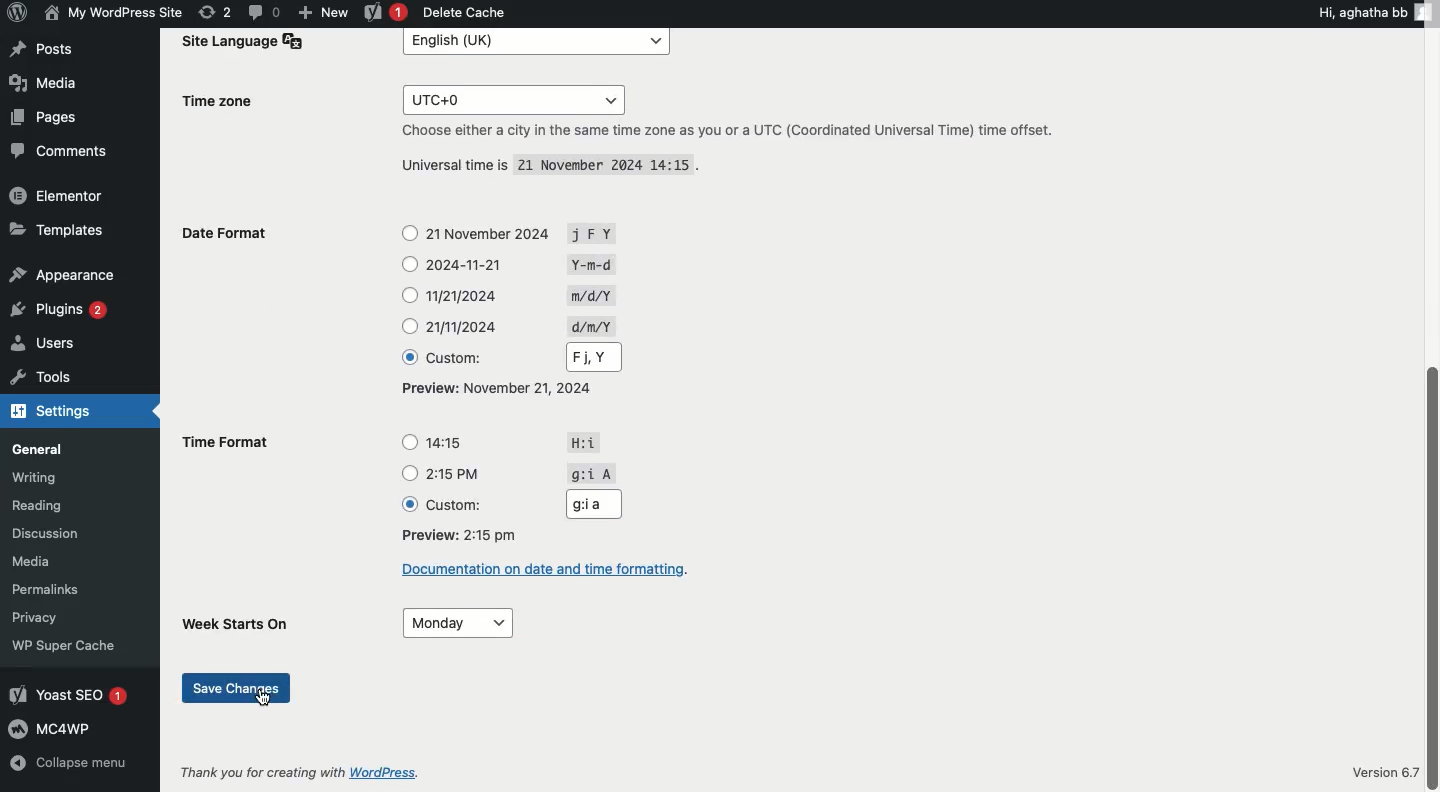 This screenshot has width=1440, height=792. I want to click on Media, so click(38, 560).